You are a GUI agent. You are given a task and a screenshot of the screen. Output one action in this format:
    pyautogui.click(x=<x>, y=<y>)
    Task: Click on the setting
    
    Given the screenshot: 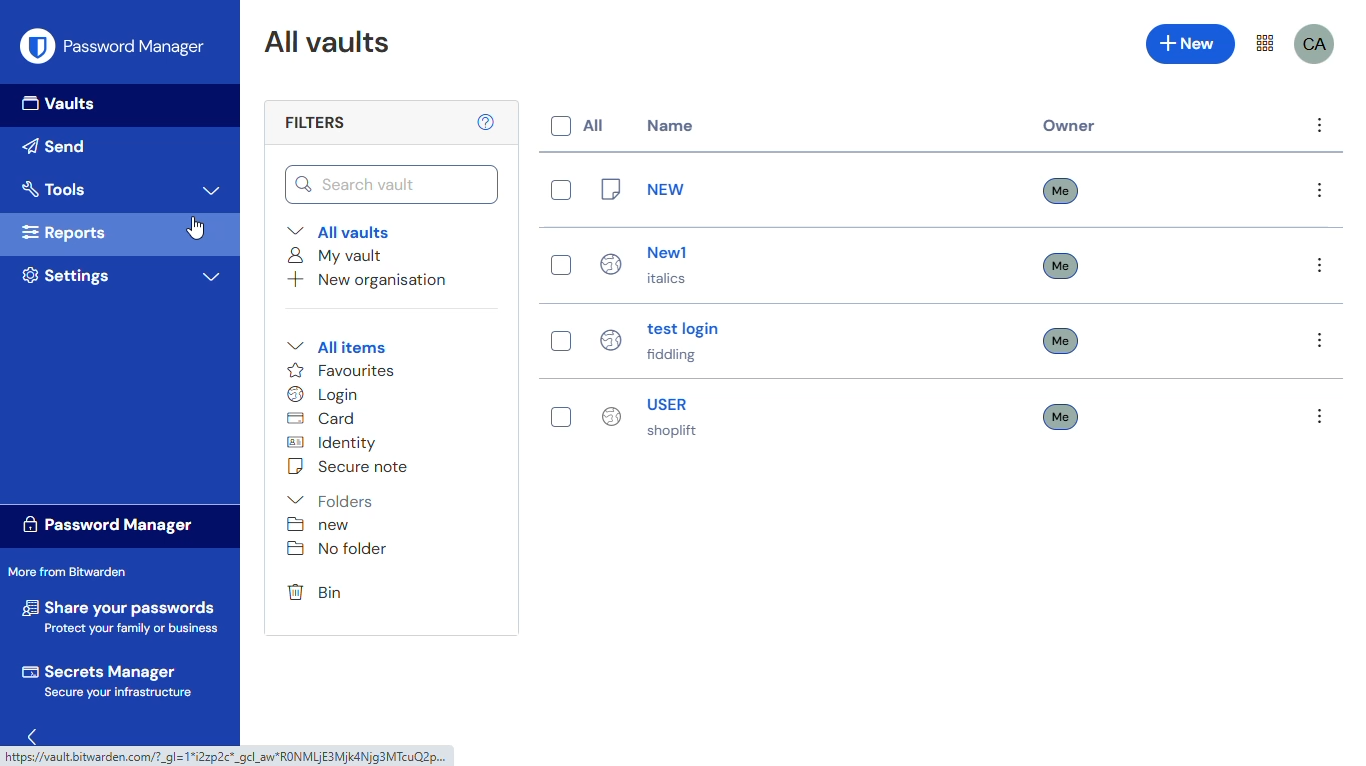 What is the action you would take?
    pyautogui.click(x=66, y=275)
    